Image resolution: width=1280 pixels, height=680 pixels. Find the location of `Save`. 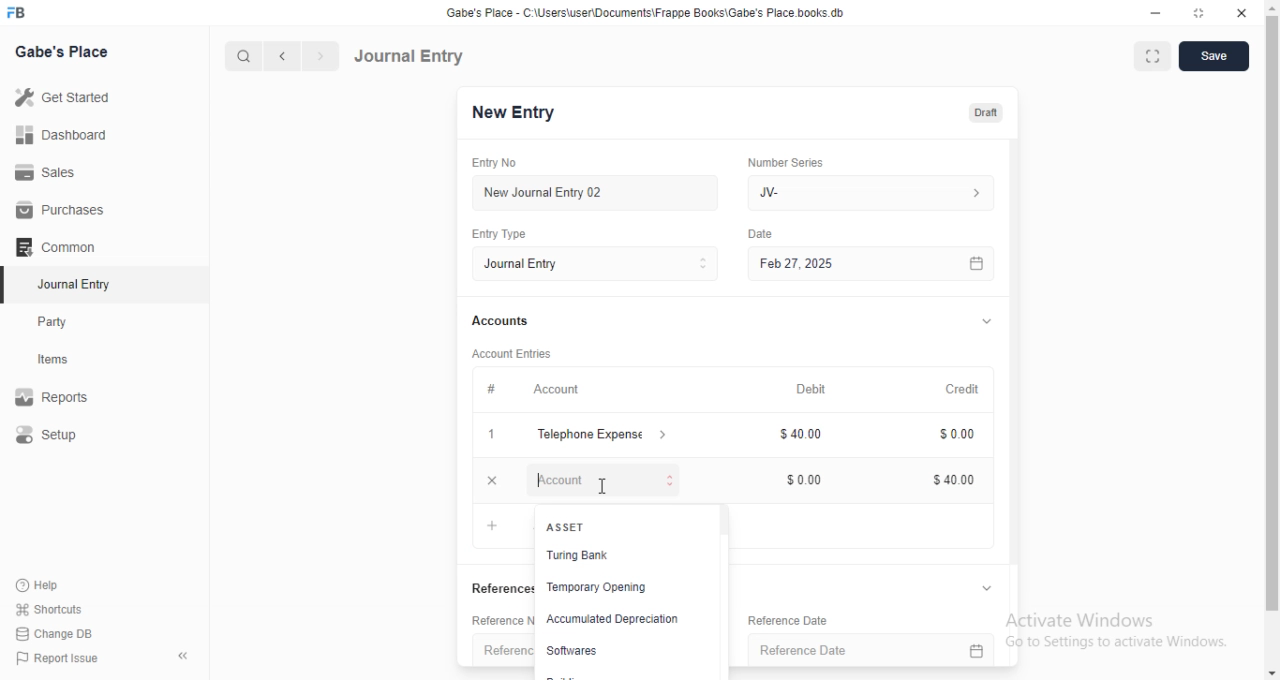

Save is located at coordinates (1212, 57).